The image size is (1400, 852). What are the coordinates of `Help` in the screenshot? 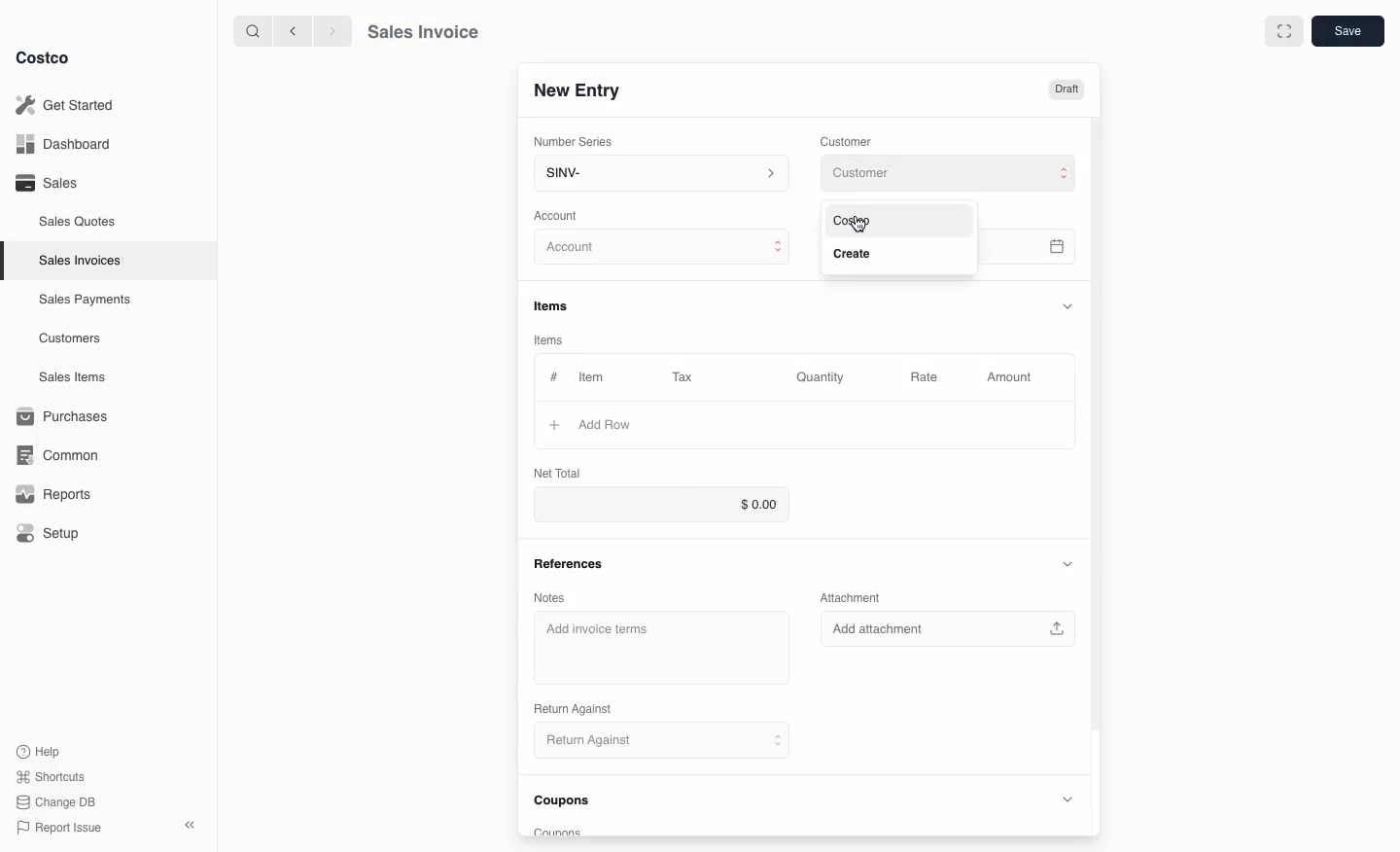 It's located at (40, 750).